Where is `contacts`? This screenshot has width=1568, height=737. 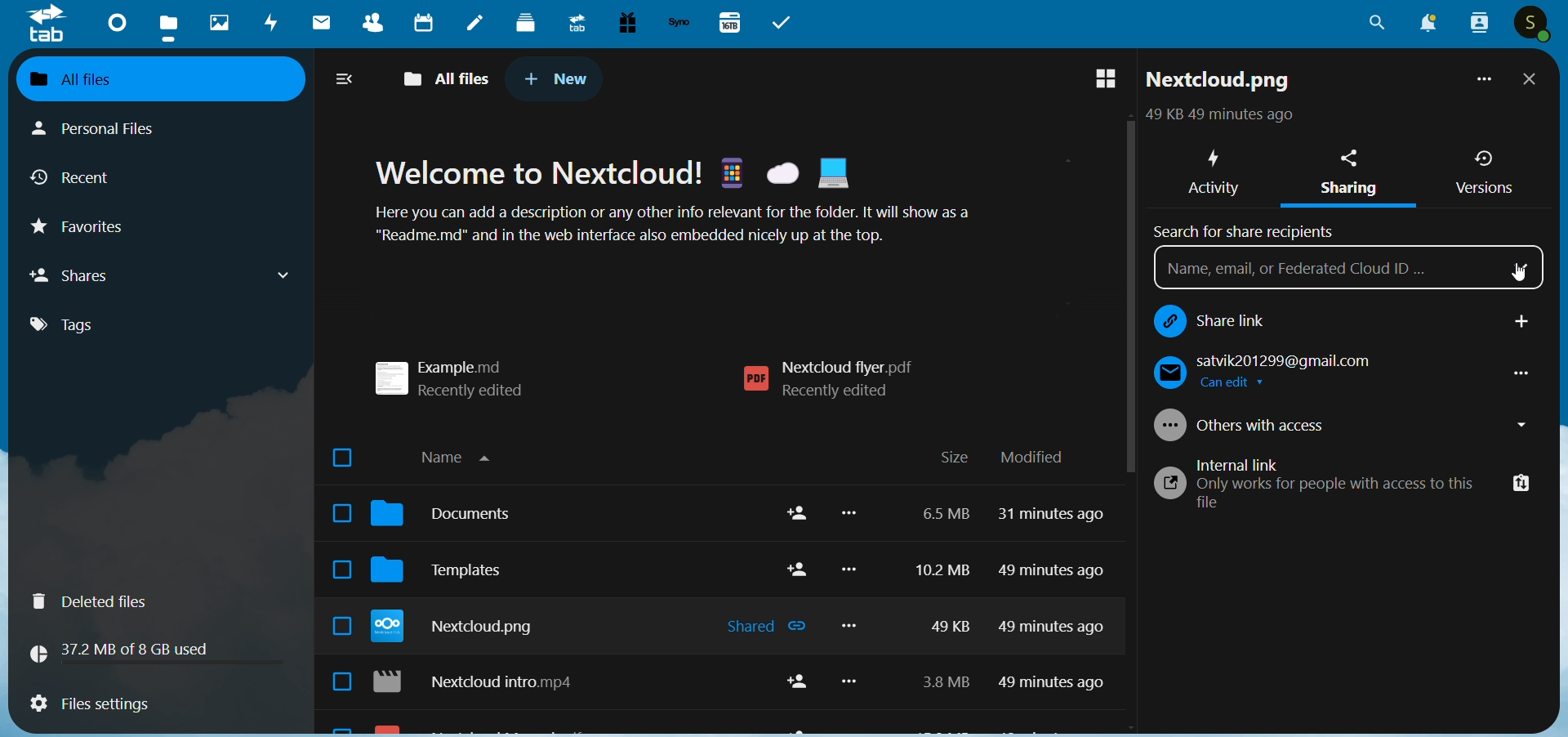
contacts is located at coordinates (367, 25).